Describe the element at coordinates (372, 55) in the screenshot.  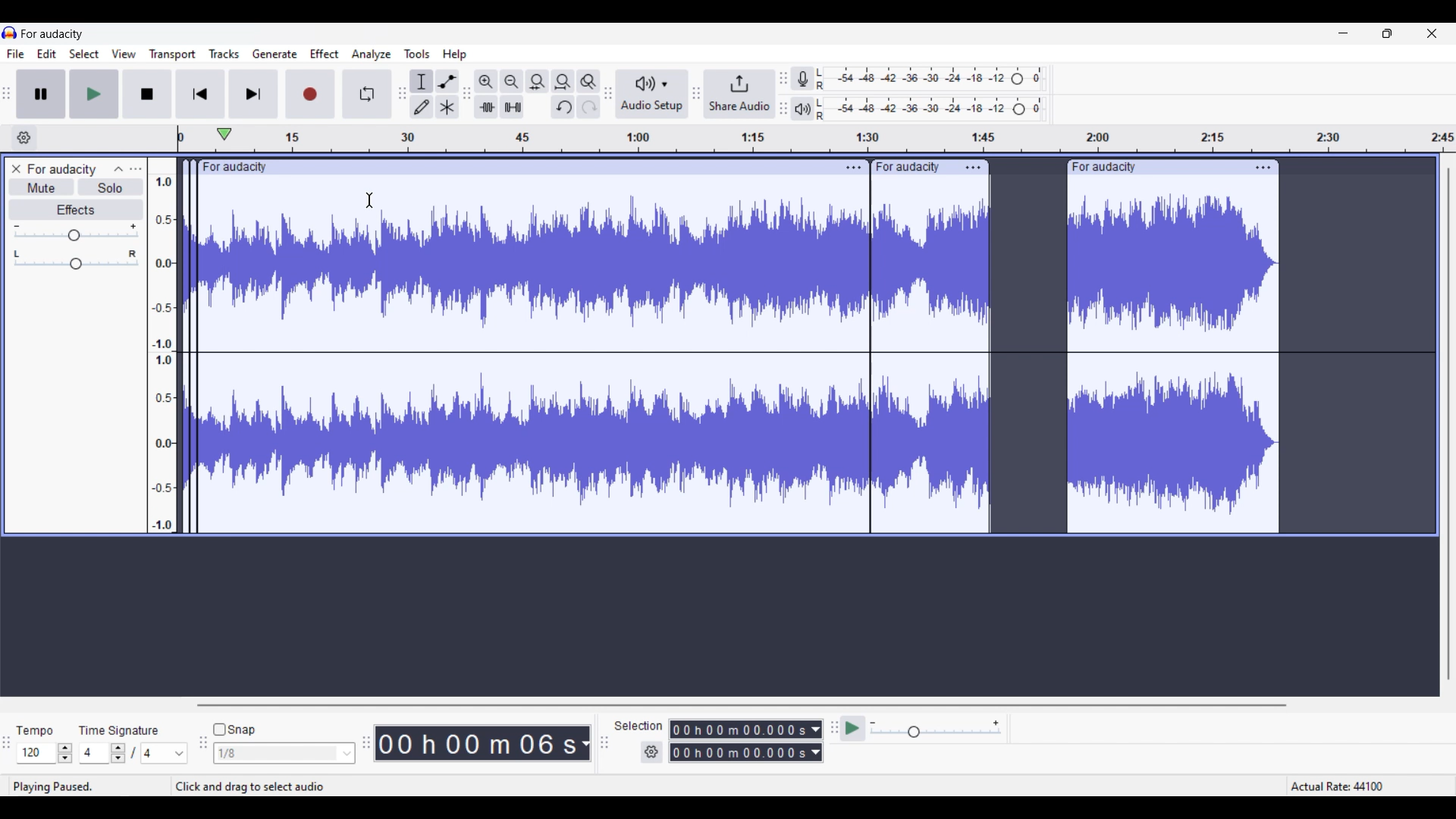
I see `Analyze menu` at that location.